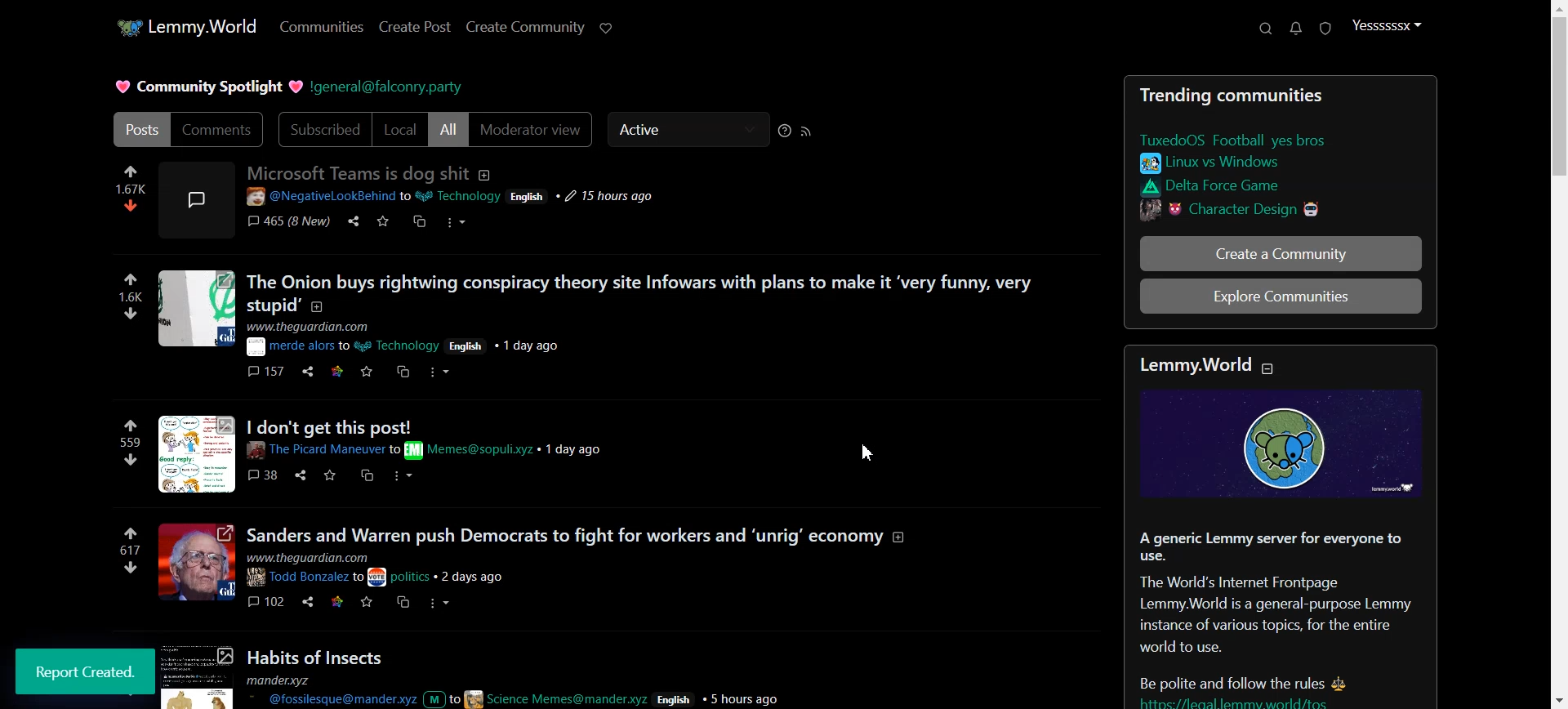  I want to click on Support Lemmy, so click(606, 29).